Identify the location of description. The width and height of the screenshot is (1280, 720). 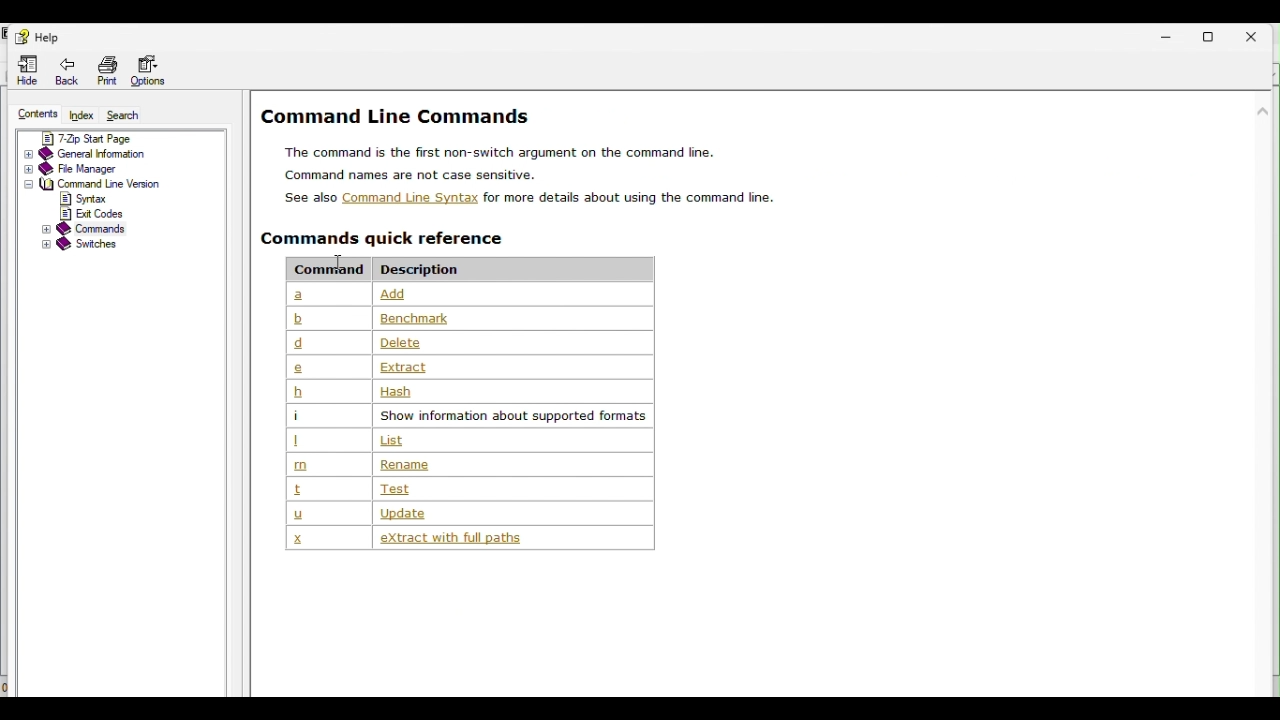
(439, 512).